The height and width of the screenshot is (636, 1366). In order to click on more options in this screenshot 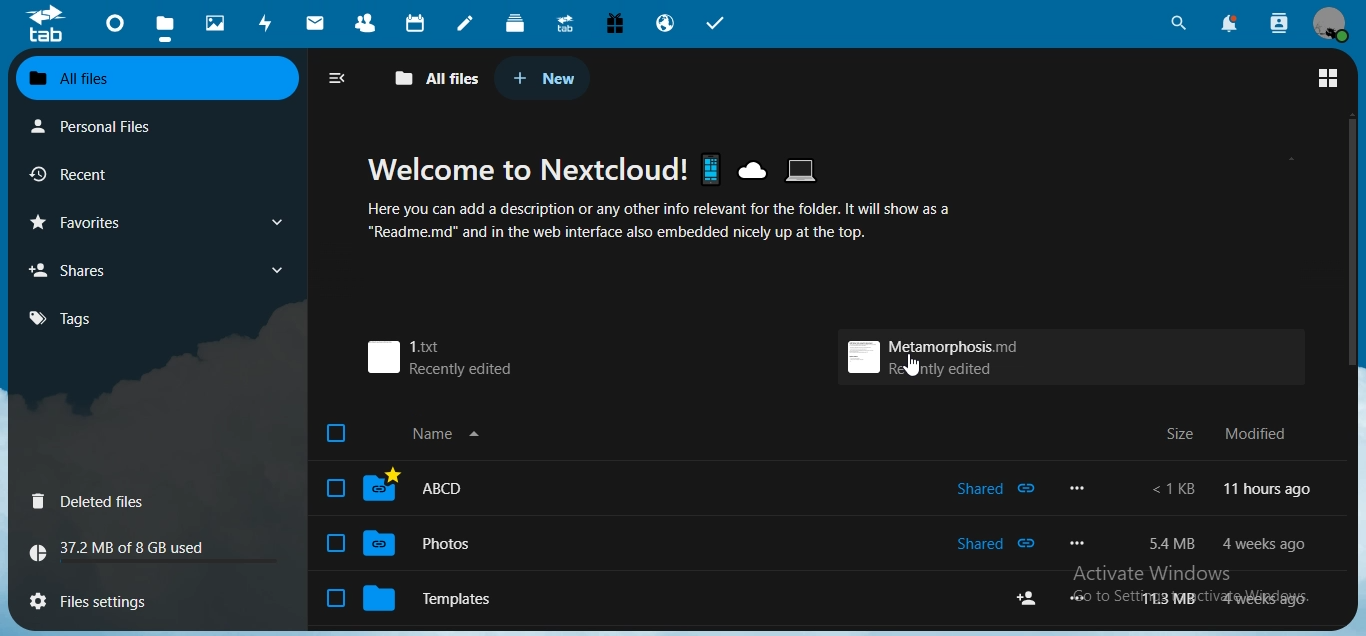, I will do `click(1080, 487)`.